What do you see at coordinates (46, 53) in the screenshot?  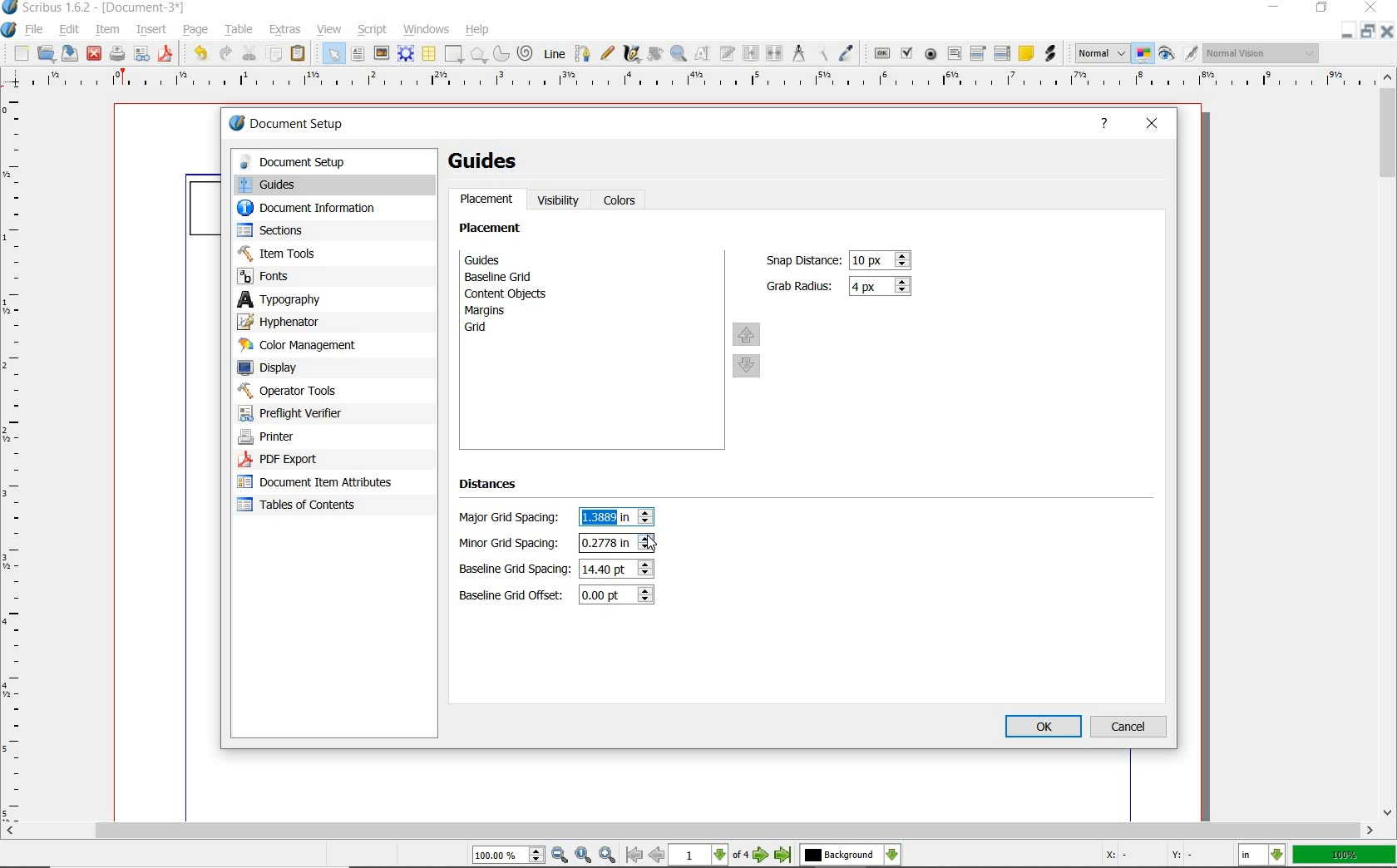 I see `open` at bounding box center [46, 53].